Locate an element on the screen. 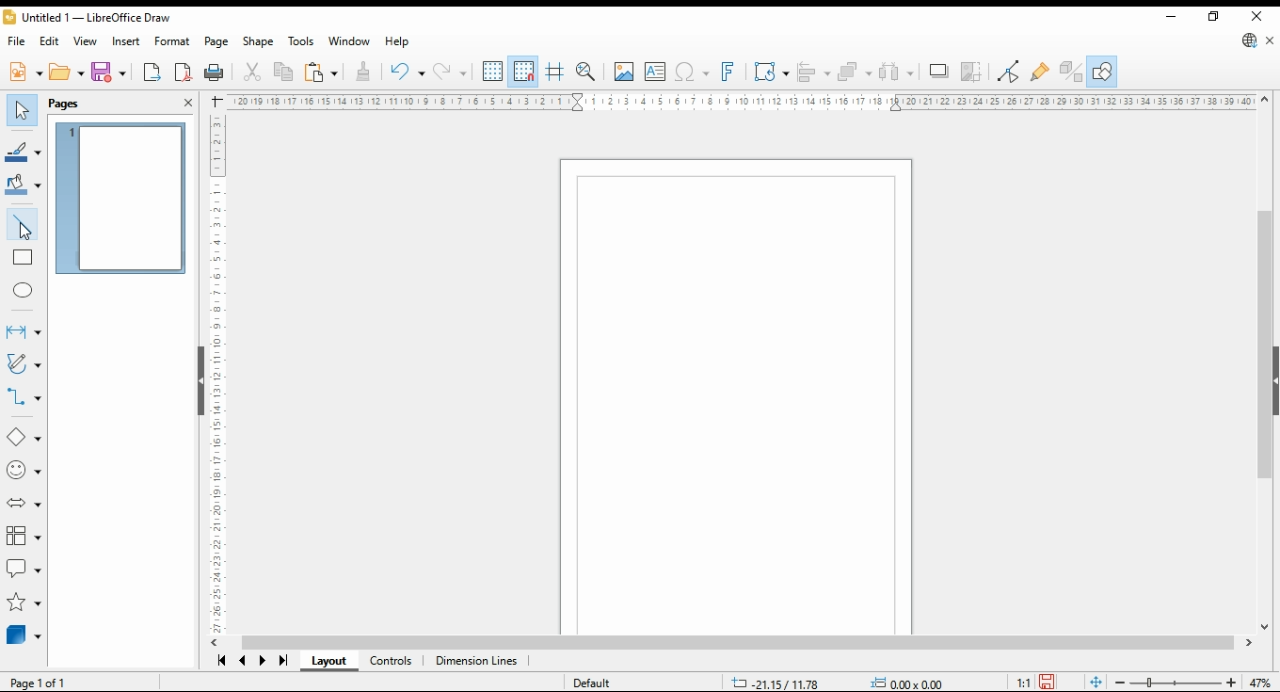 The height and width of the screenshot is (692, 1280). stars and banners is located at coordinates (23, 604).